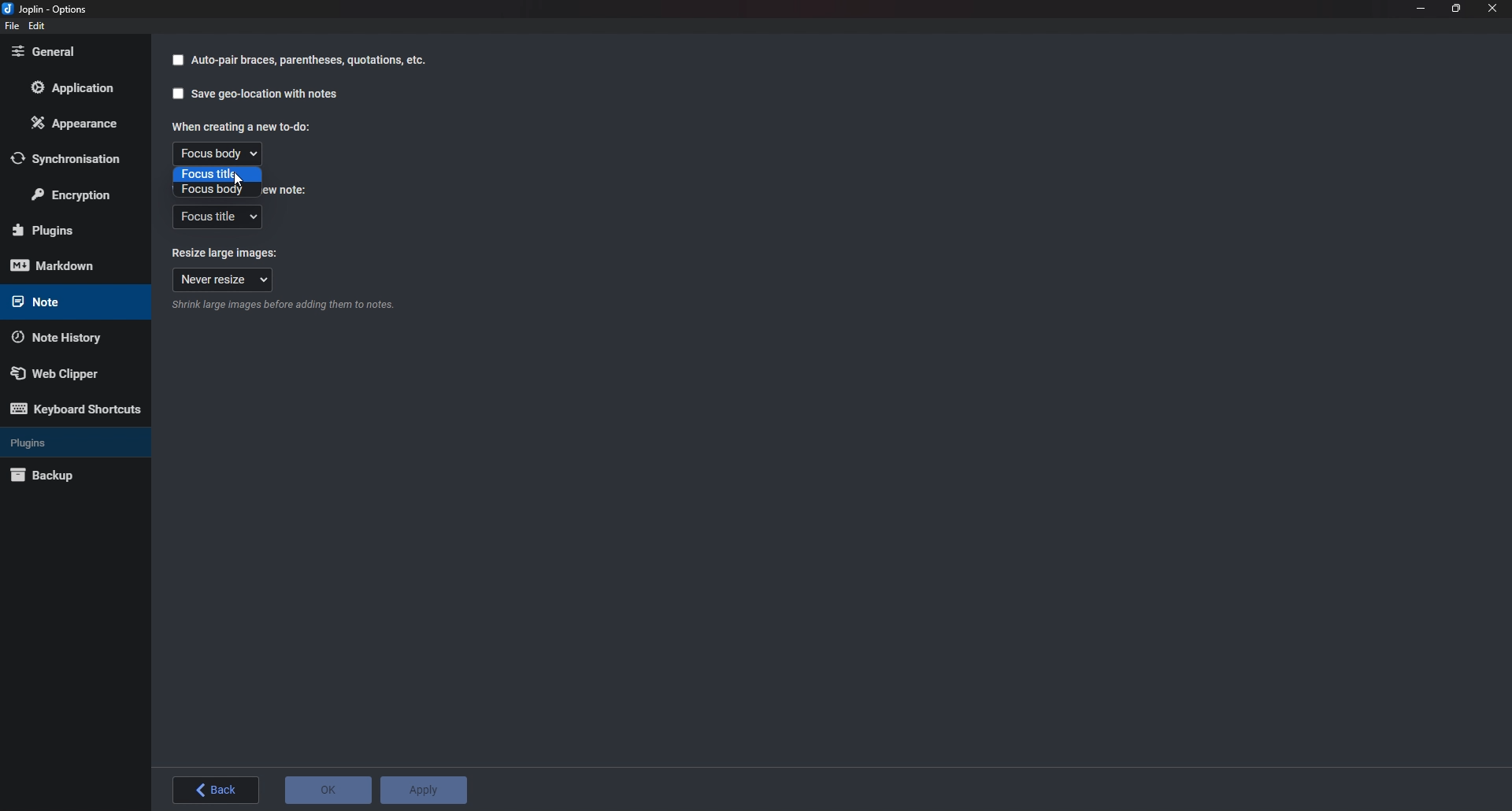 Image resolution: width=1512 pixels, height=811 pixels. I want to click on Apply, so click(425, 787).